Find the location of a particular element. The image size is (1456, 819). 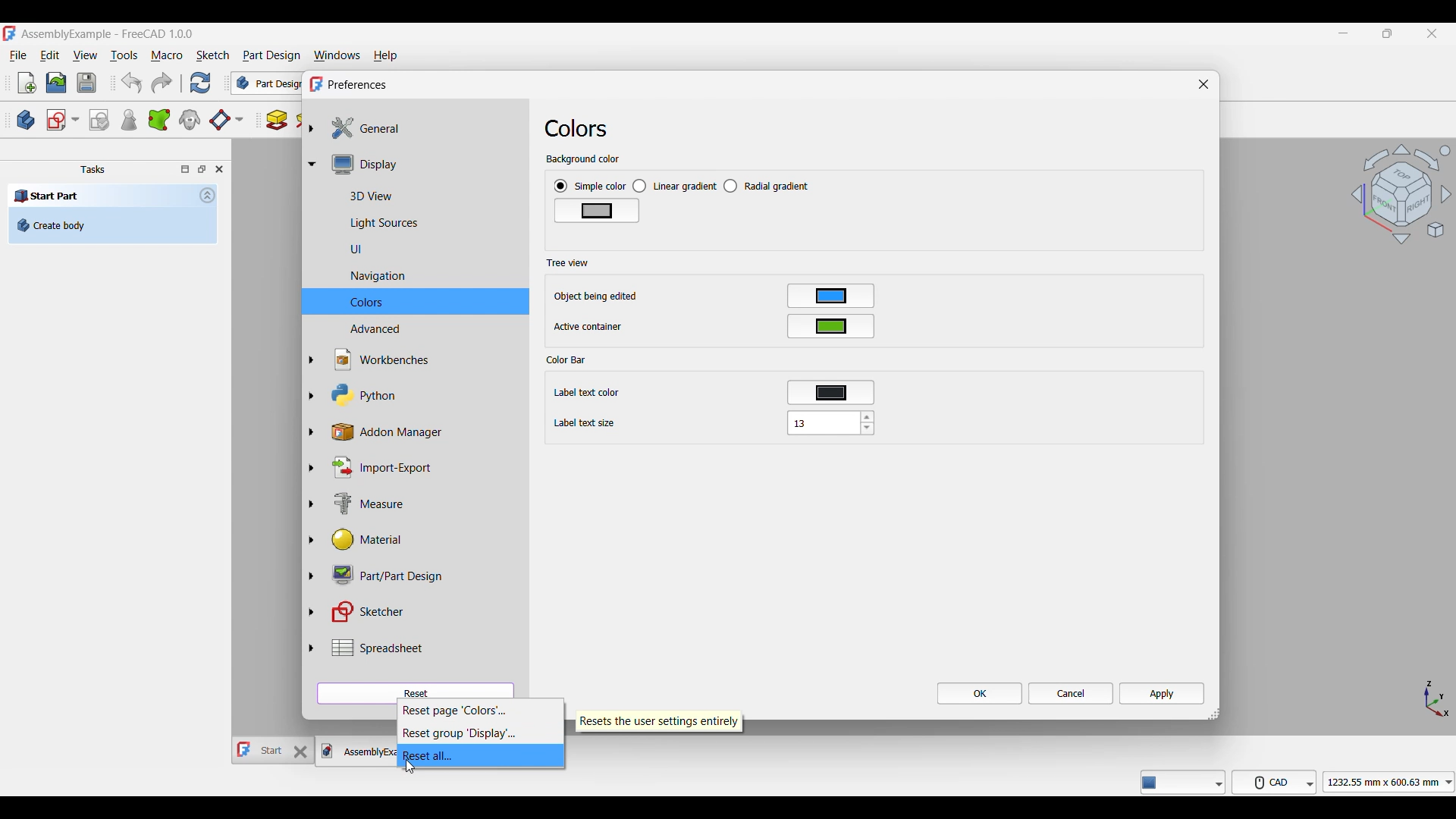

Tools menu is located at coordinates (124, 55).